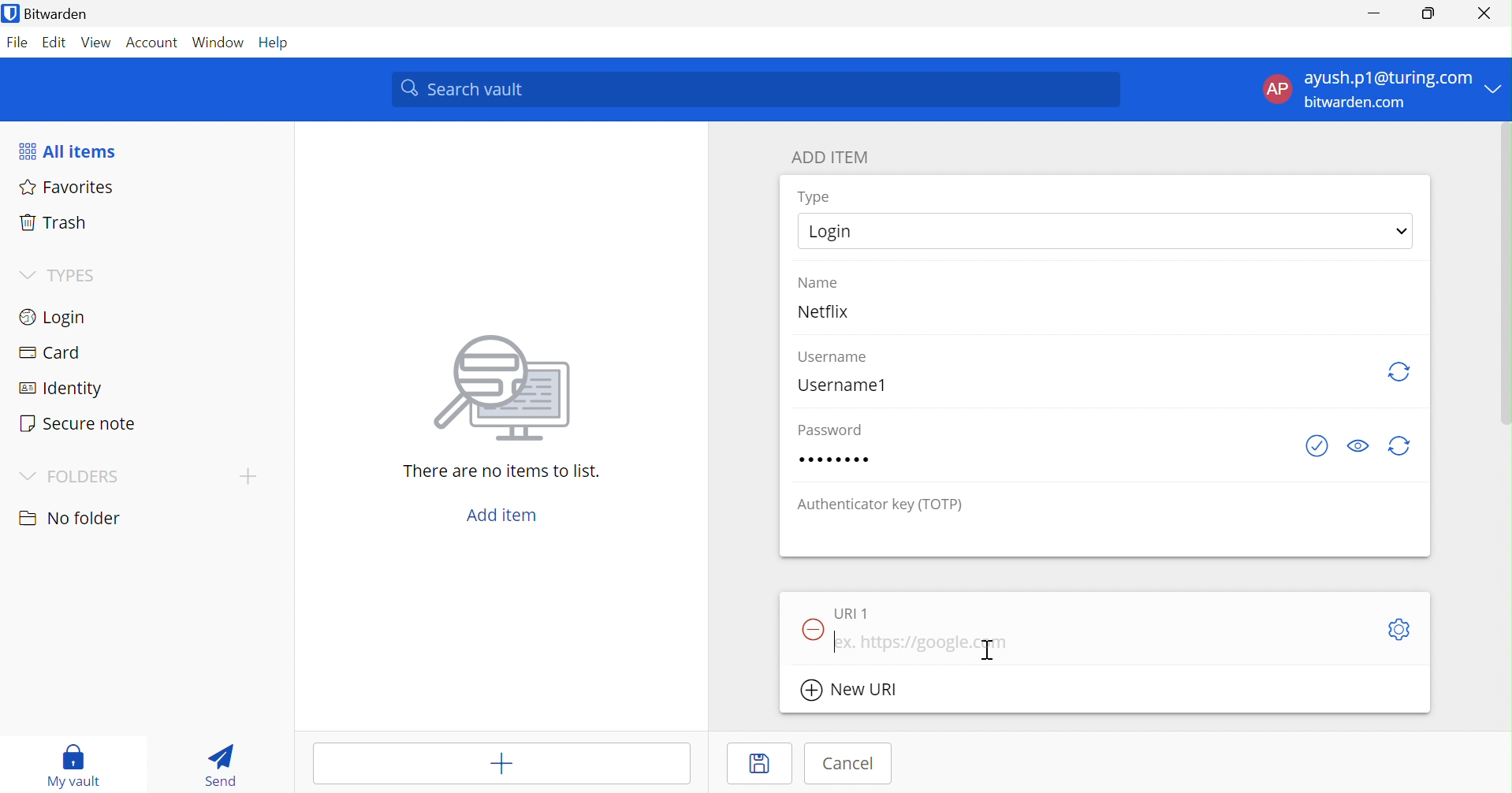  Describe the element at coordinates (96, 43) in the screenshot. I see `View` at that location.